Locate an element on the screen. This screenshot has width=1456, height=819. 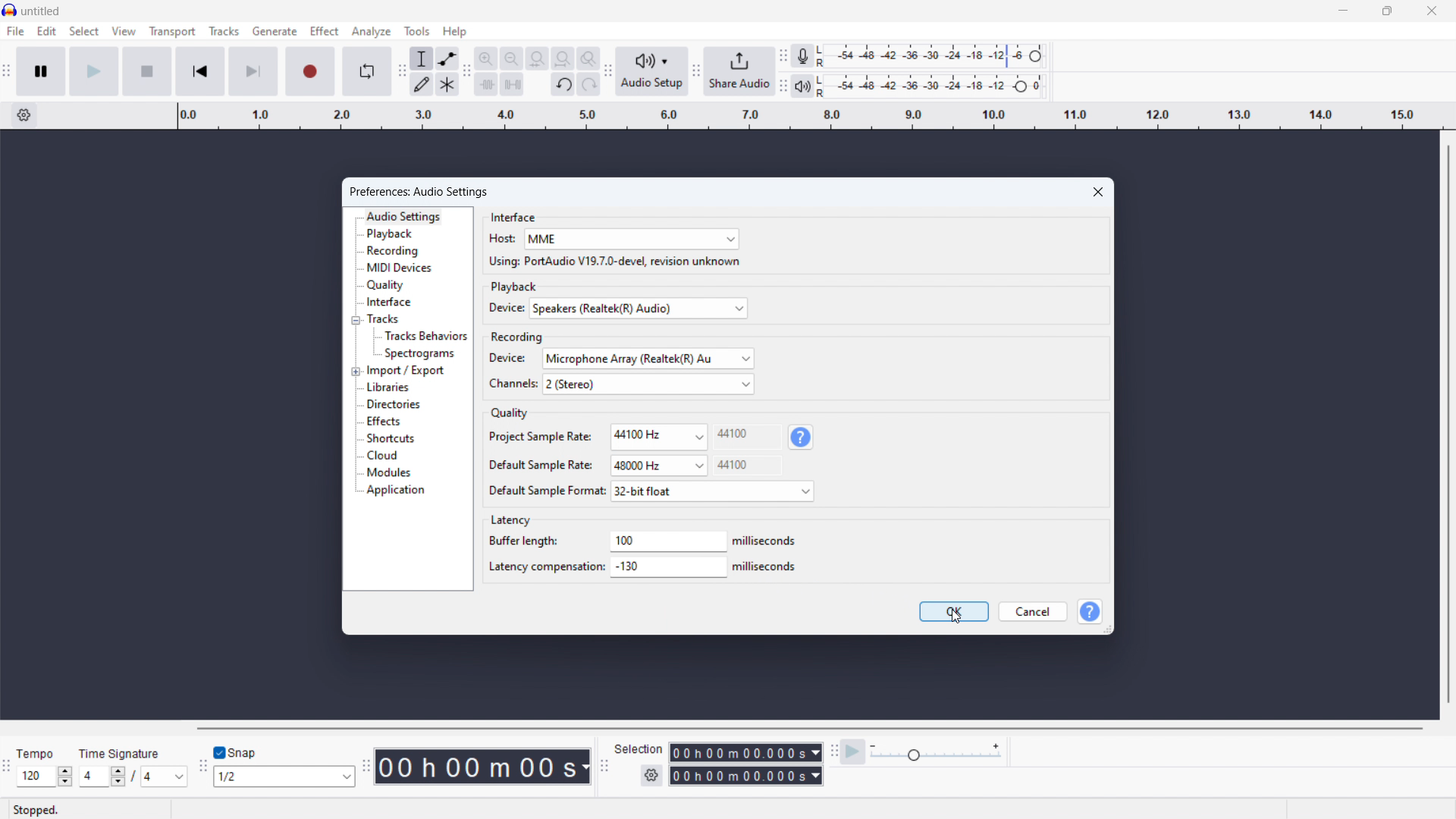
time signature toolbar is located at coordinates (8, 767).